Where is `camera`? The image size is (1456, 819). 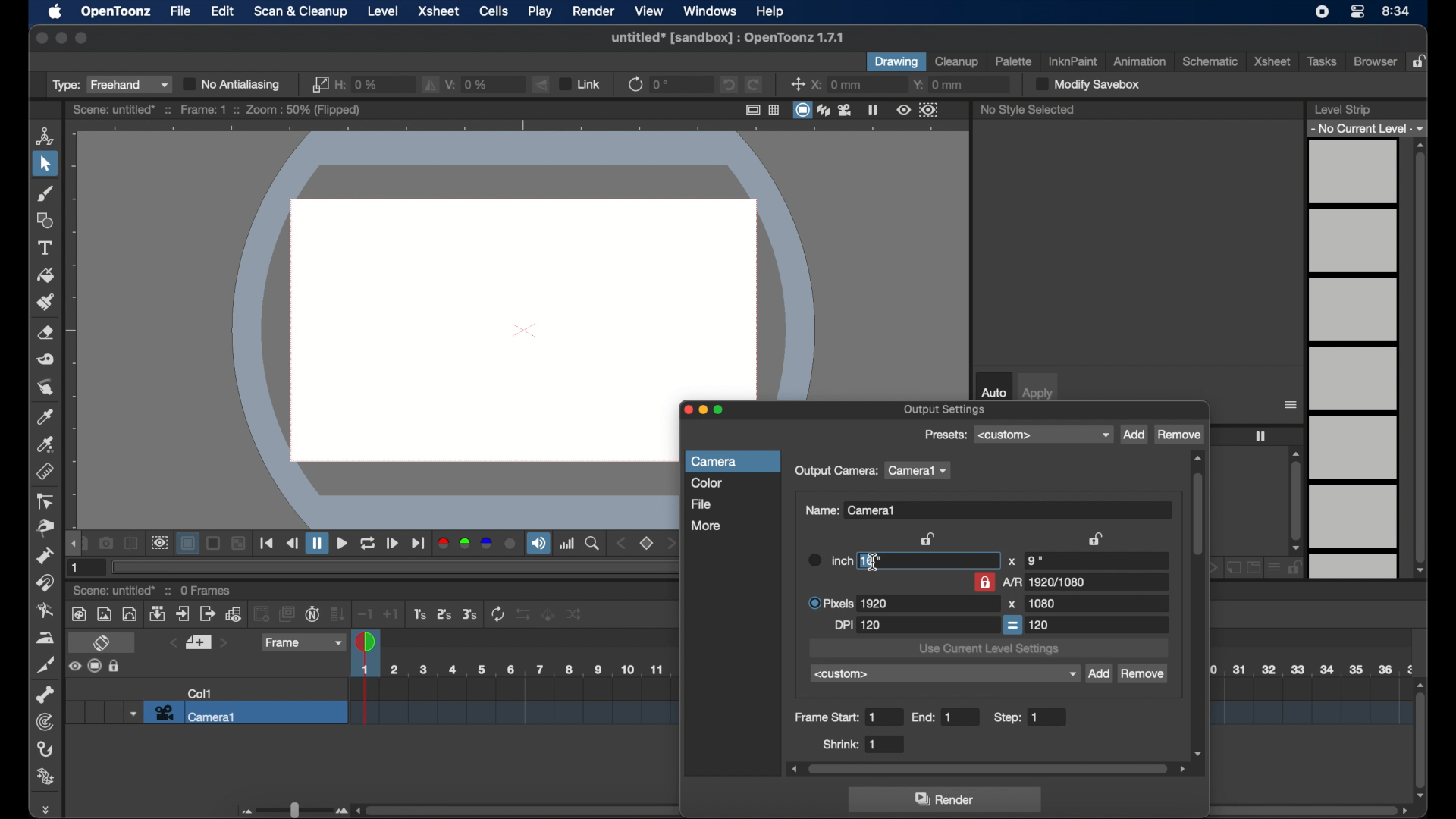 camera is located at coordinates (717, 462).